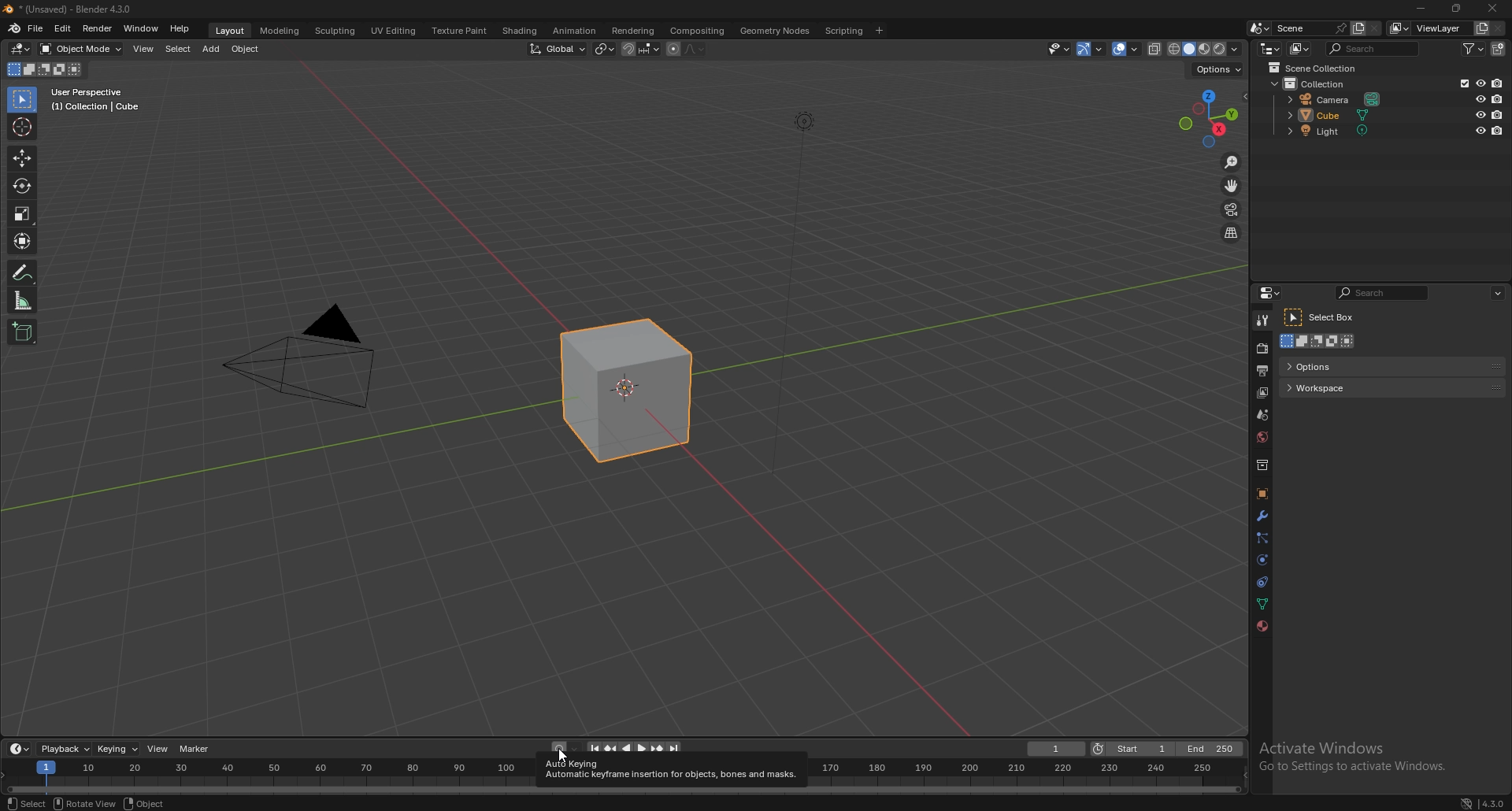  I want to click on annotate, so click(24, 272).